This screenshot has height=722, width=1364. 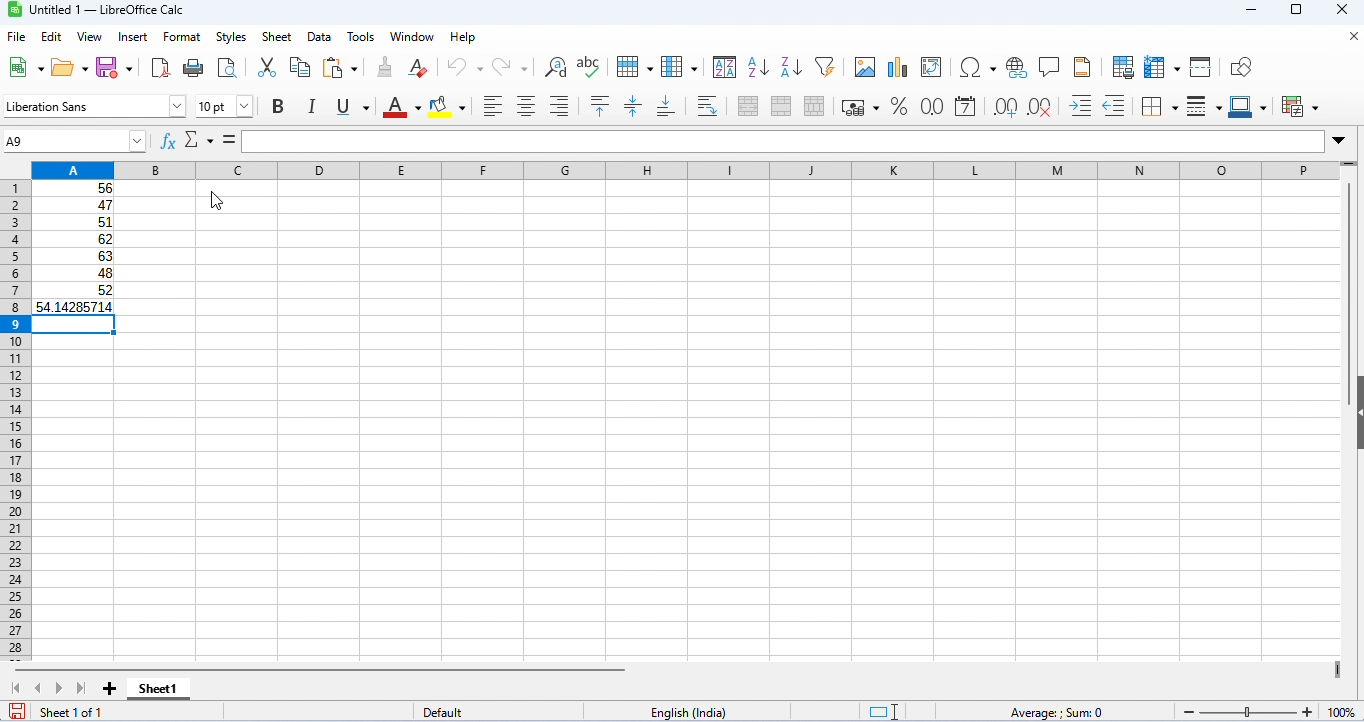 I want to click on accept, so click(x=219, y=139).